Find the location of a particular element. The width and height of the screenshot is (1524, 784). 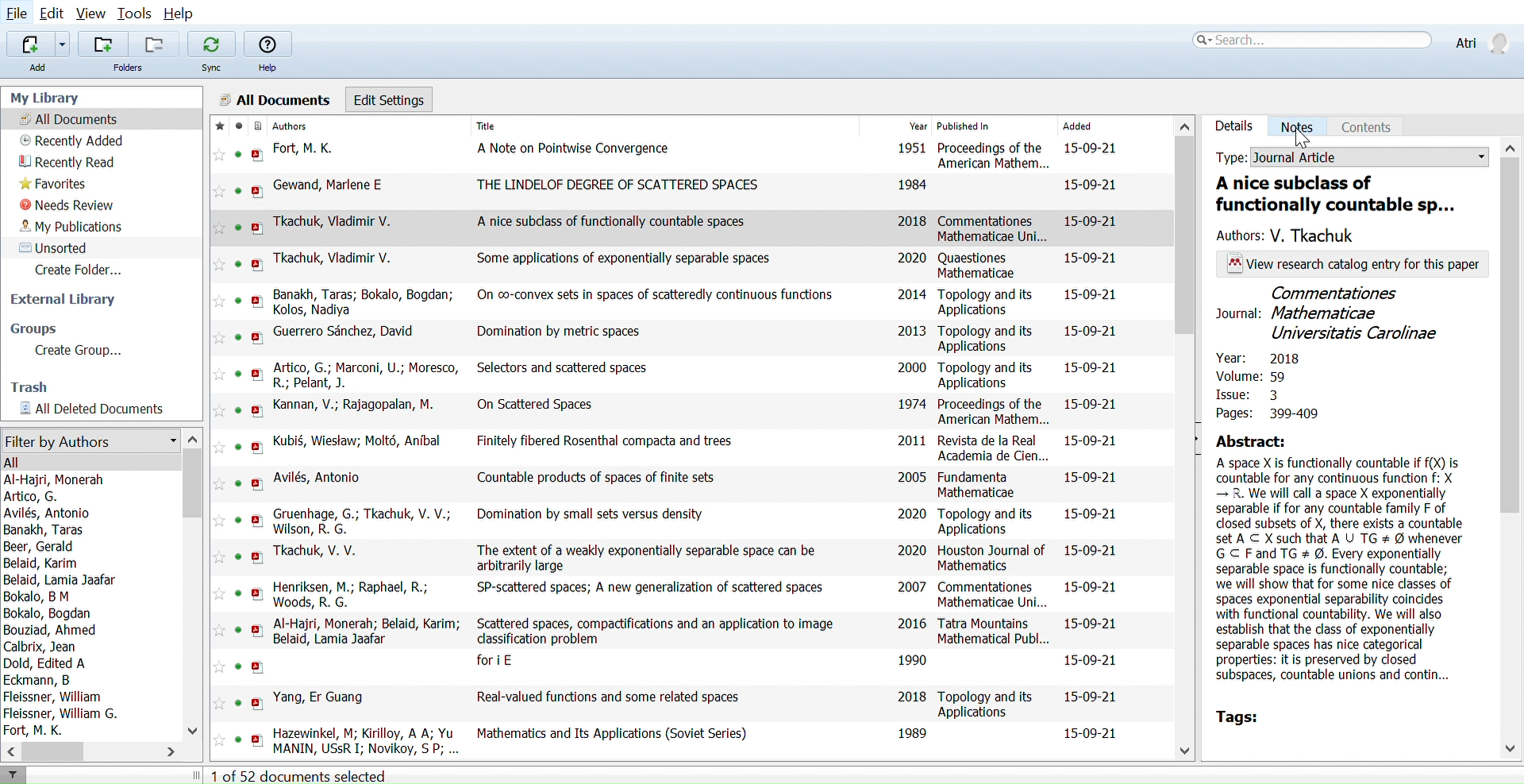

open PDF is located at coordinates (257, 192).